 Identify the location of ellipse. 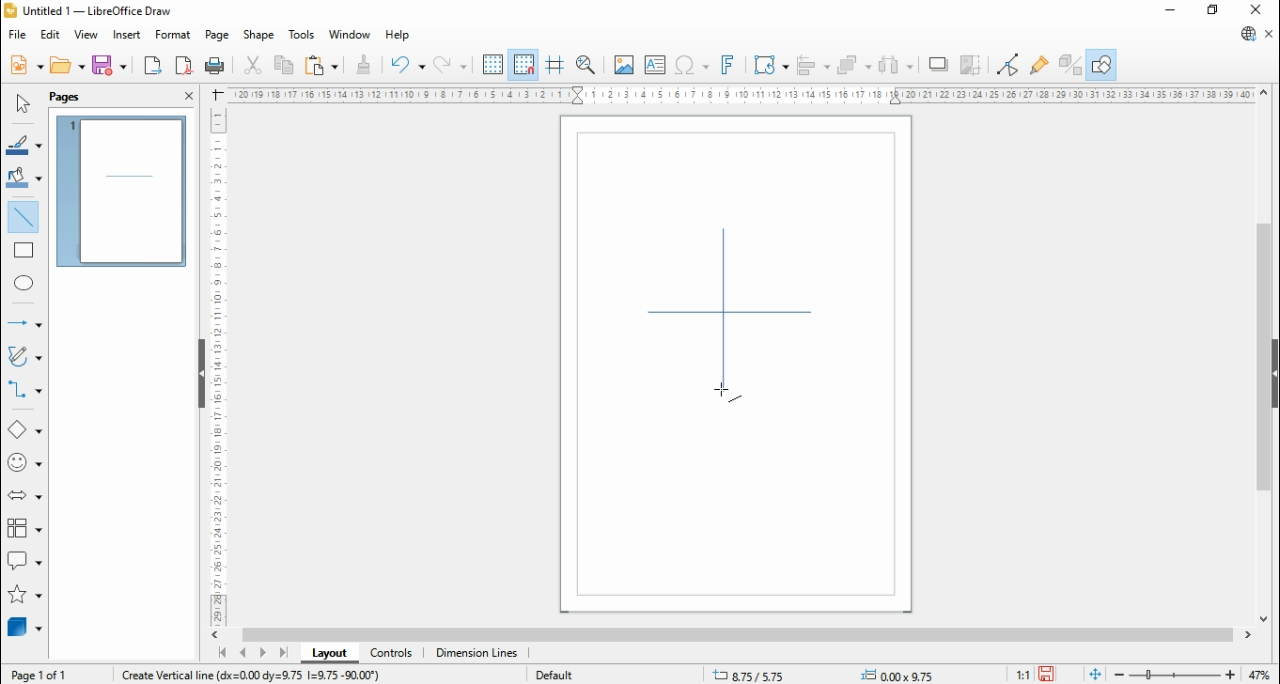
(24, 282).